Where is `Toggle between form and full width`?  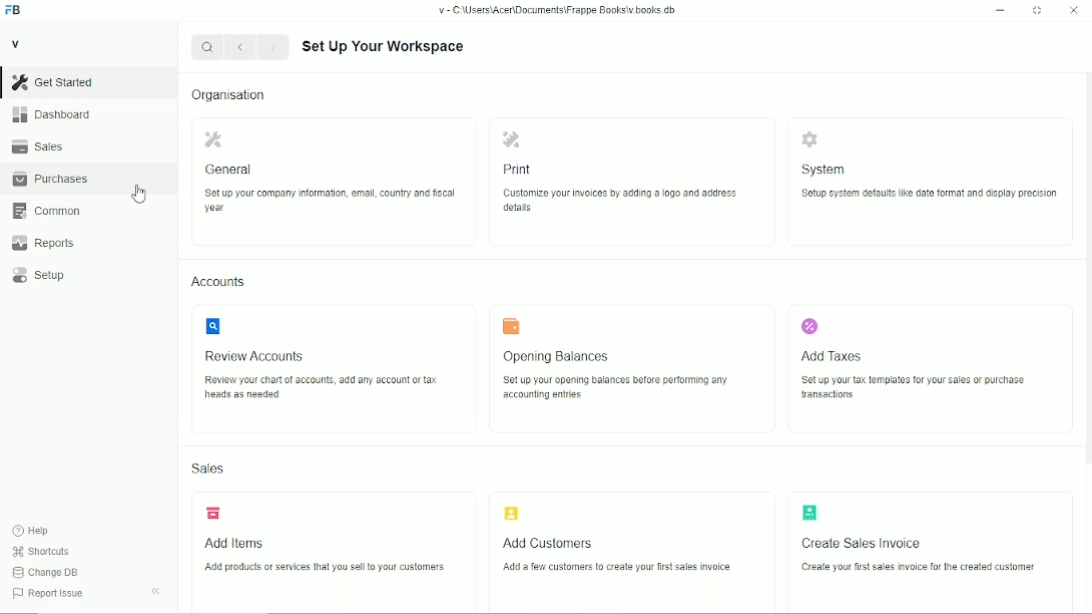 Toggle between form and full width is located at coordinates (1038, 11).